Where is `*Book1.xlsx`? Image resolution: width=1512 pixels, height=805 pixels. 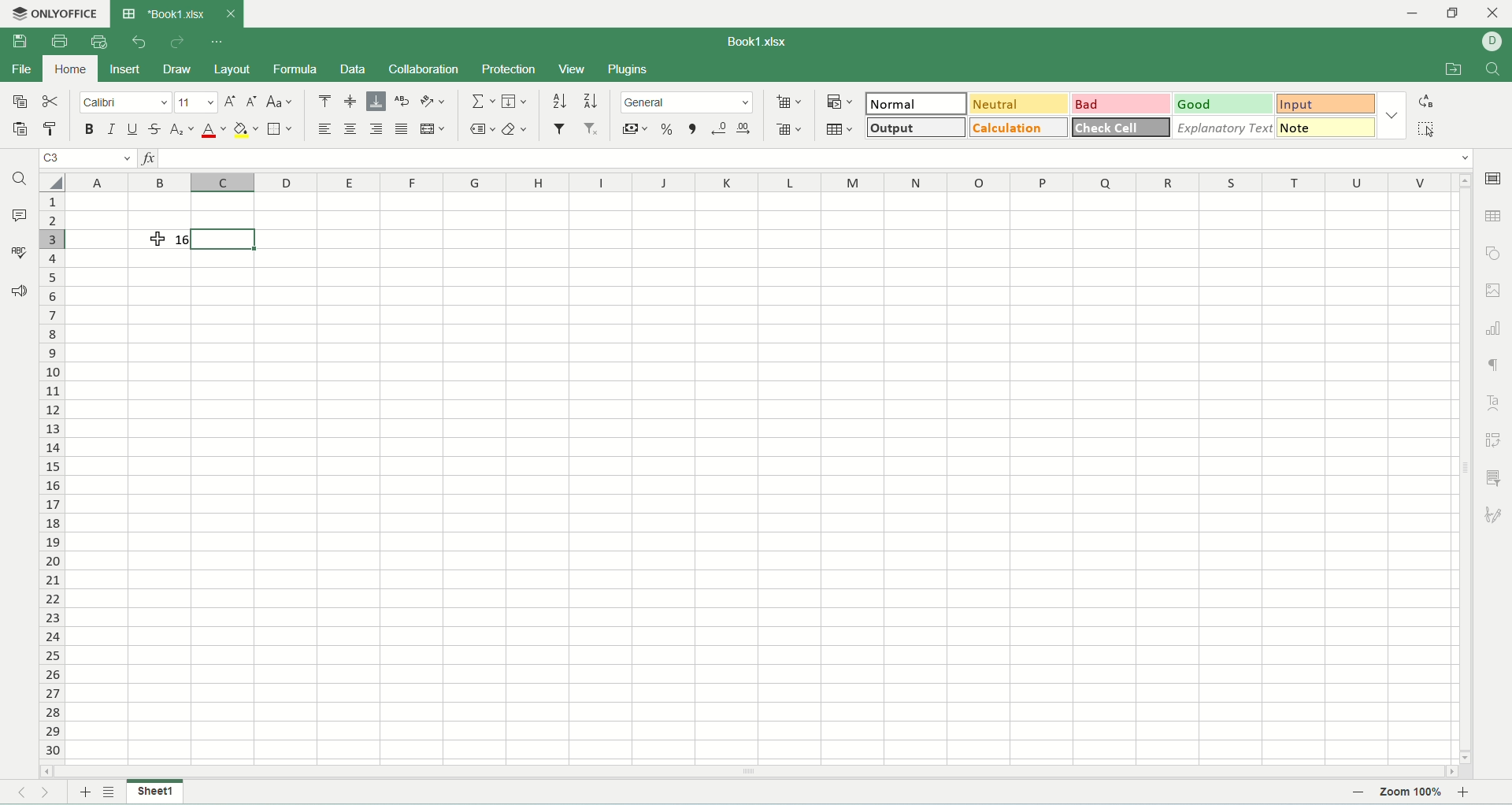 *Book1.xlsx is located at coordinates (176, 13).